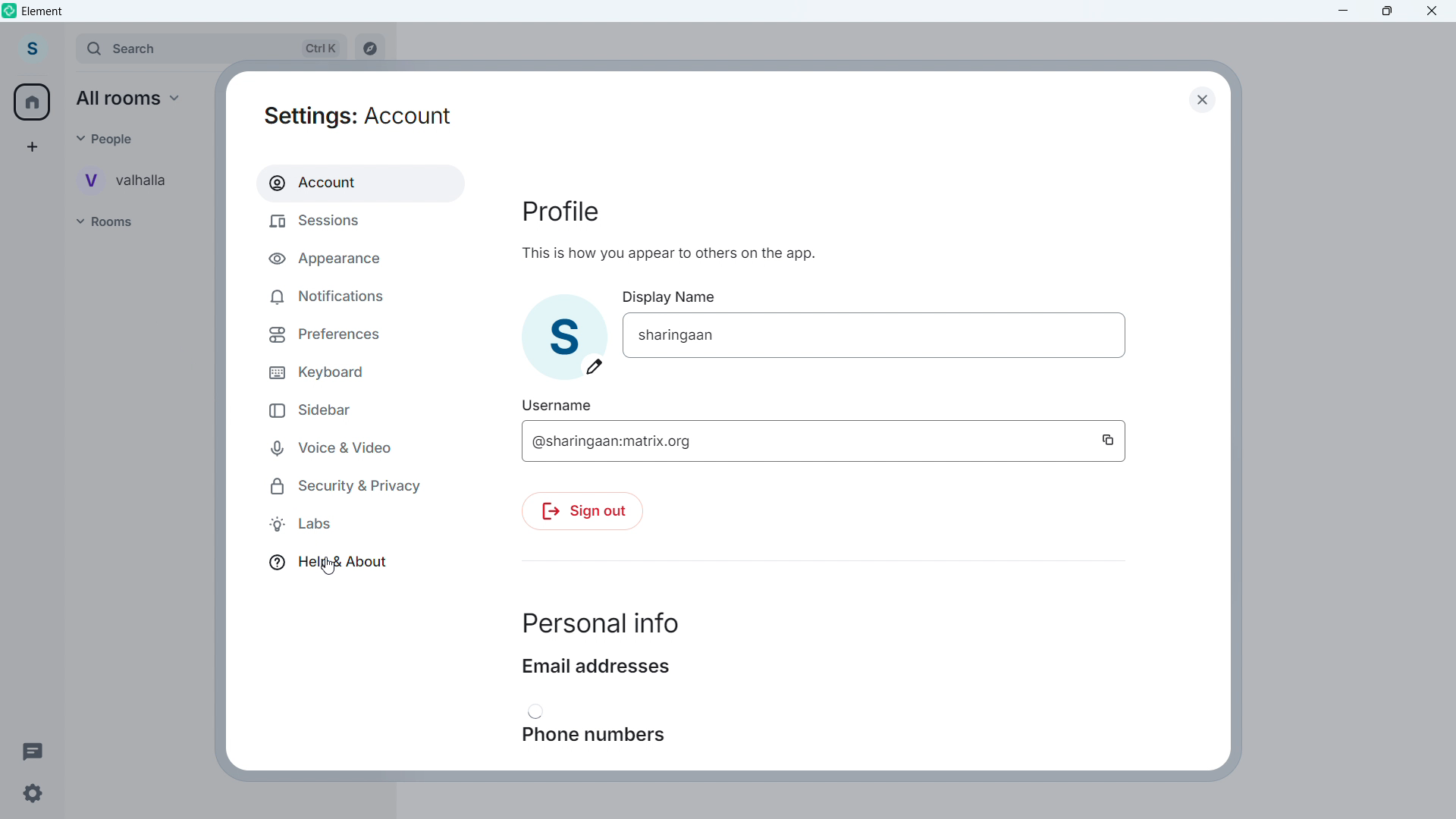 This screenshot has width=1456, height=819. What do you see at coordinates (33, 102) in the screenshot?
I see `home ` at bounding box center [33, 102].